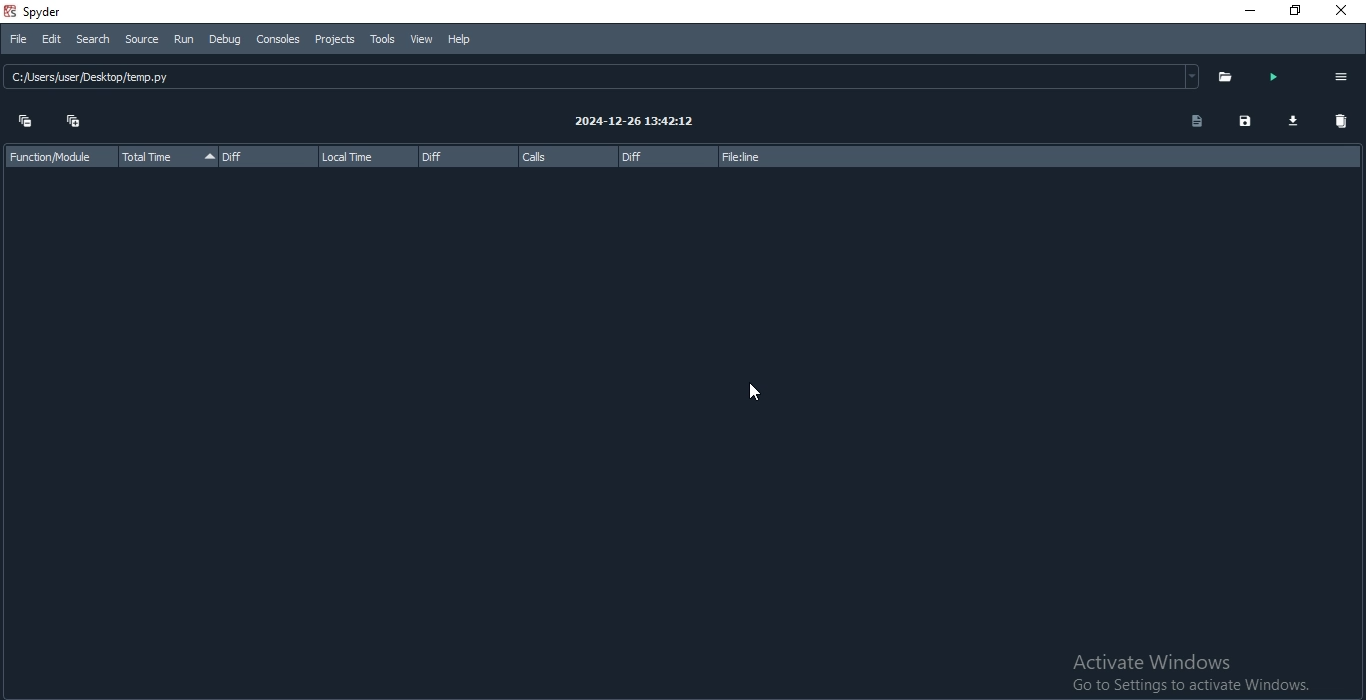 The image size is (1366, 700). Describe the element at coordinates (1243, 12) in the screenshot. I see `Minimise` at that location.